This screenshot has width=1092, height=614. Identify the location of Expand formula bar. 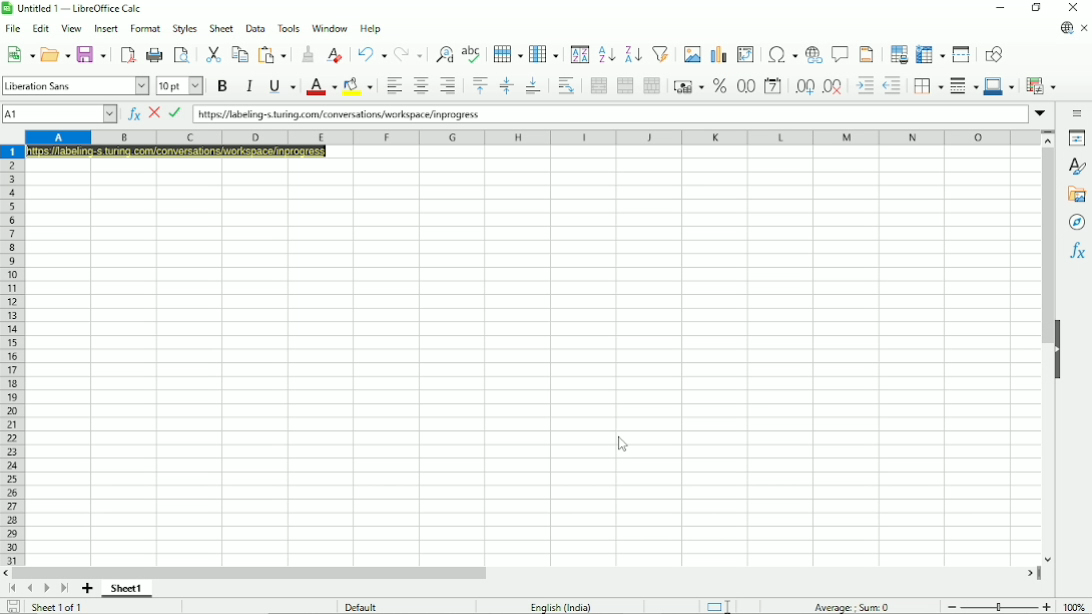
(1042, 113).